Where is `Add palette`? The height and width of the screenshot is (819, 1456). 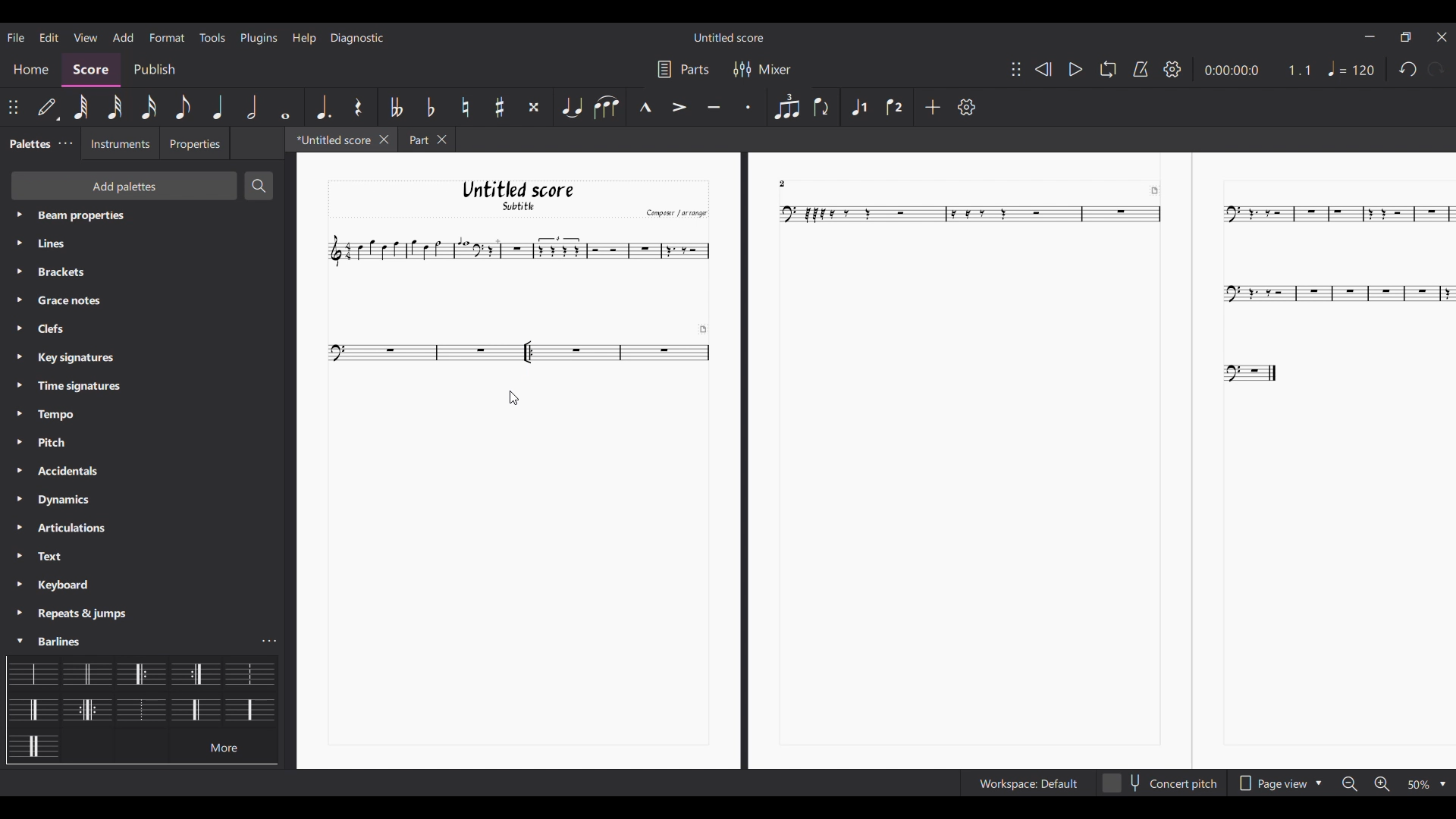 Add palette is located at coordinates (126, 185).